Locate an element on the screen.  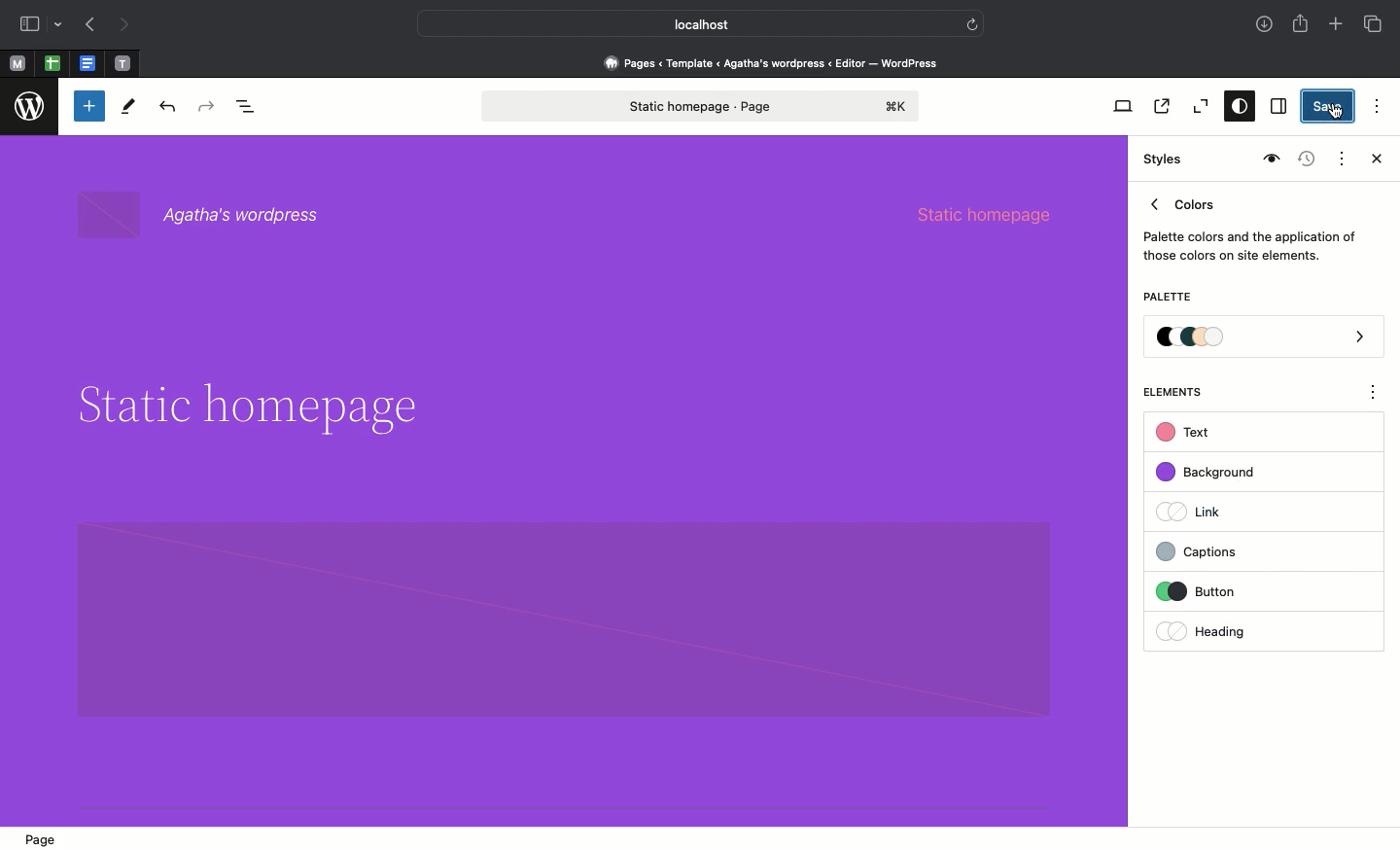
Undo is located at coordinates (167, 108).